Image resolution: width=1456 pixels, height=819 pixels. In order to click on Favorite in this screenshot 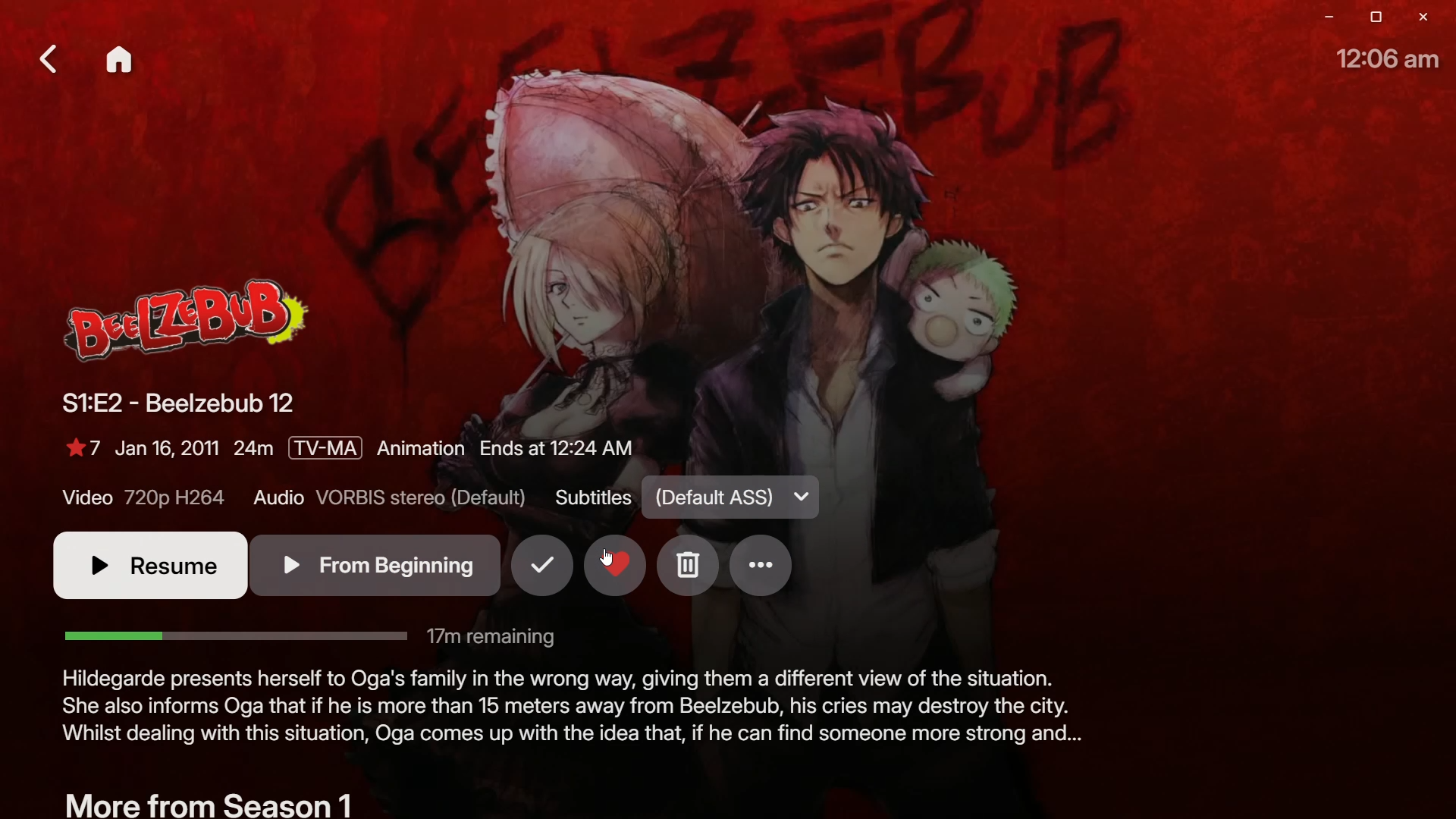, I will do `click(614, 585)`.